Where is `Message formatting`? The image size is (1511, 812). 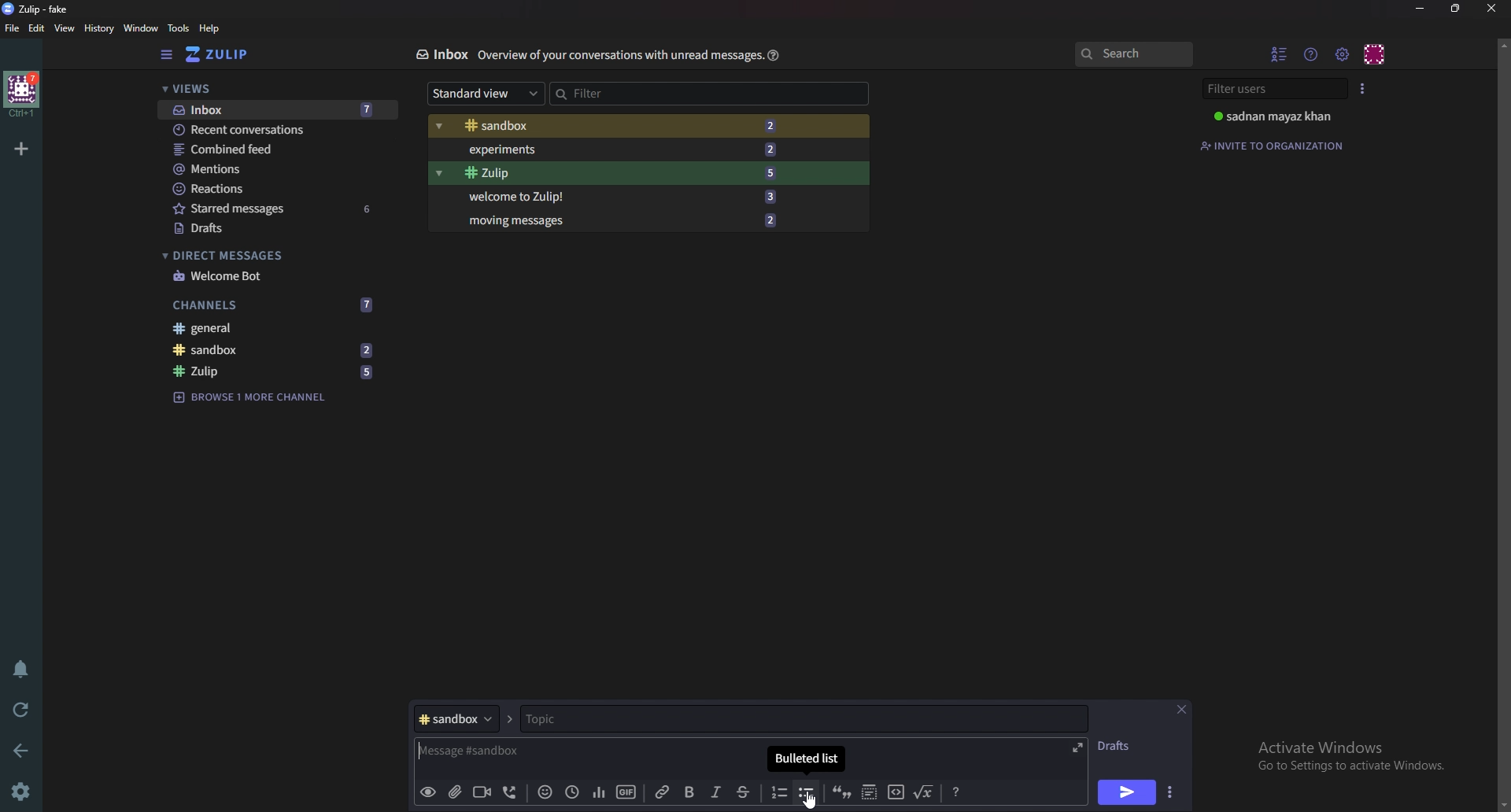 Message formatting is located at coordinates (959, 790).